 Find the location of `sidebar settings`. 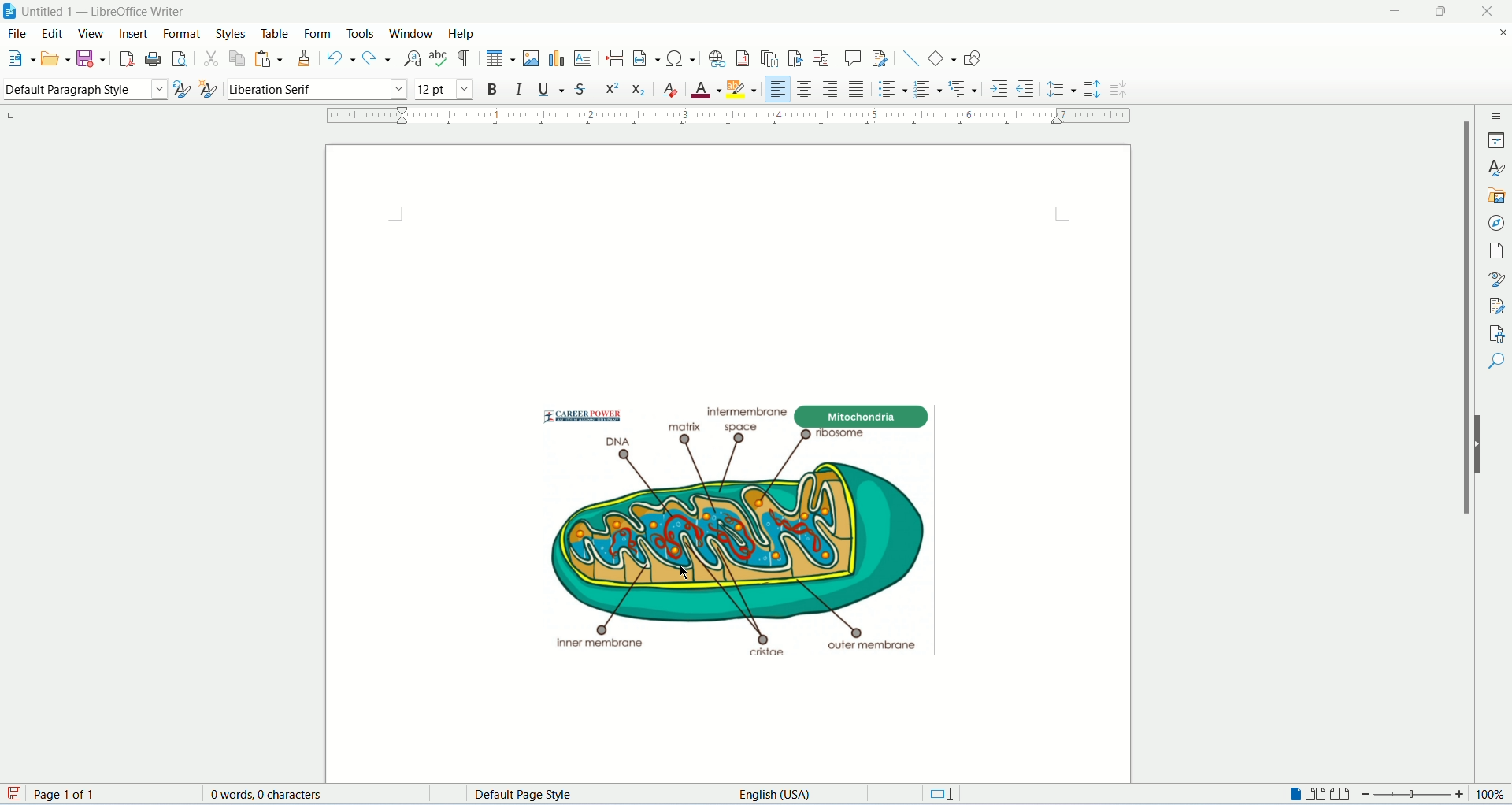

sidebar settings is located at coordinates (1498, 115).